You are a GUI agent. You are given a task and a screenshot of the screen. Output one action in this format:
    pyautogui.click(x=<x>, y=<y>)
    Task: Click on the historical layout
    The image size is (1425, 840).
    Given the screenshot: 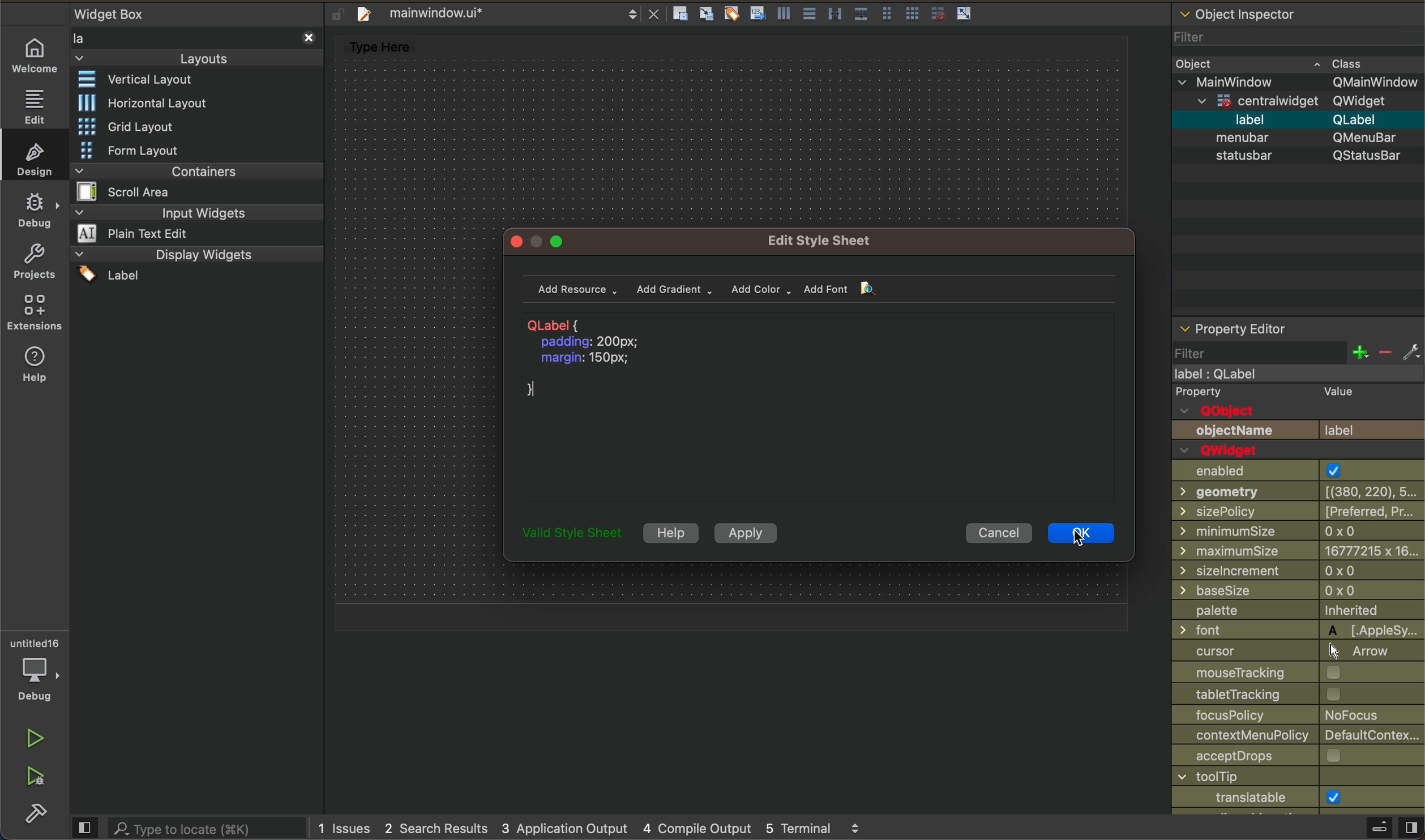 What is the action you would take?
    pyautogui.click(x=144, y=102)
    